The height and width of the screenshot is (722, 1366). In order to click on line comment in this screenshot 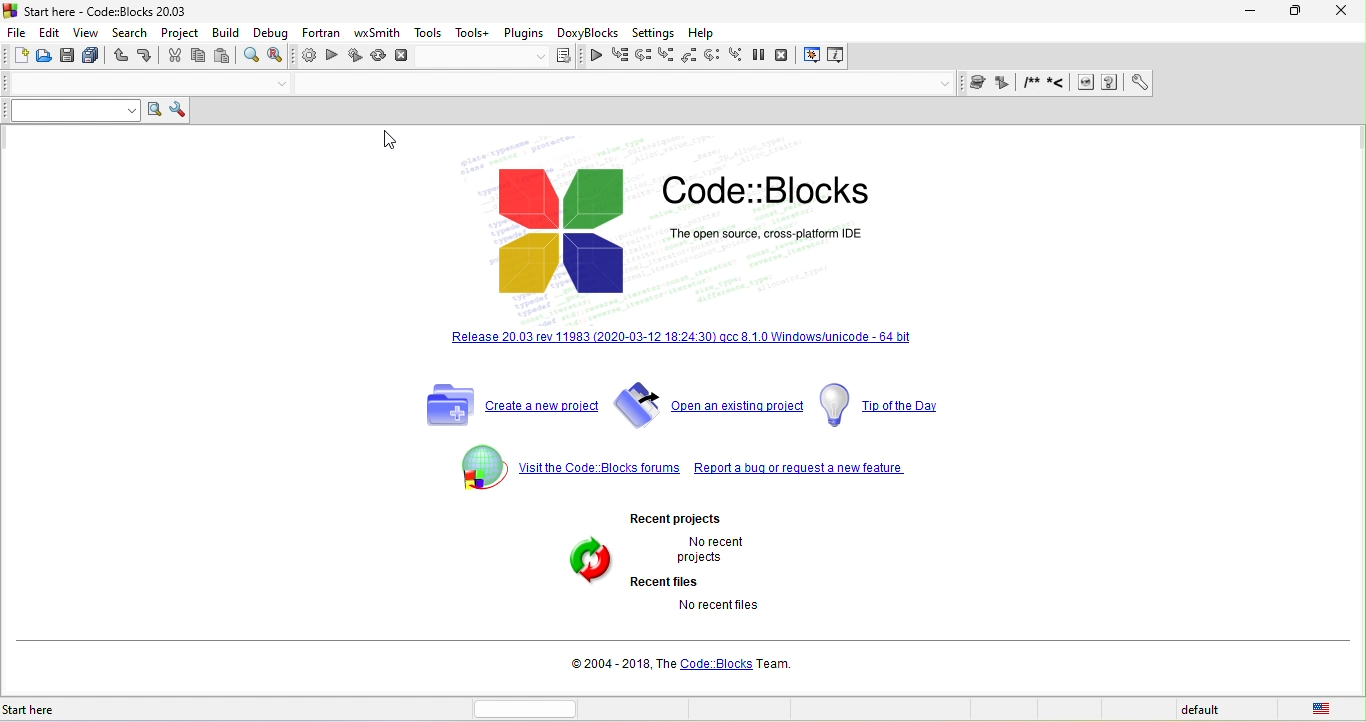, I will do `click(1215, 84)`.